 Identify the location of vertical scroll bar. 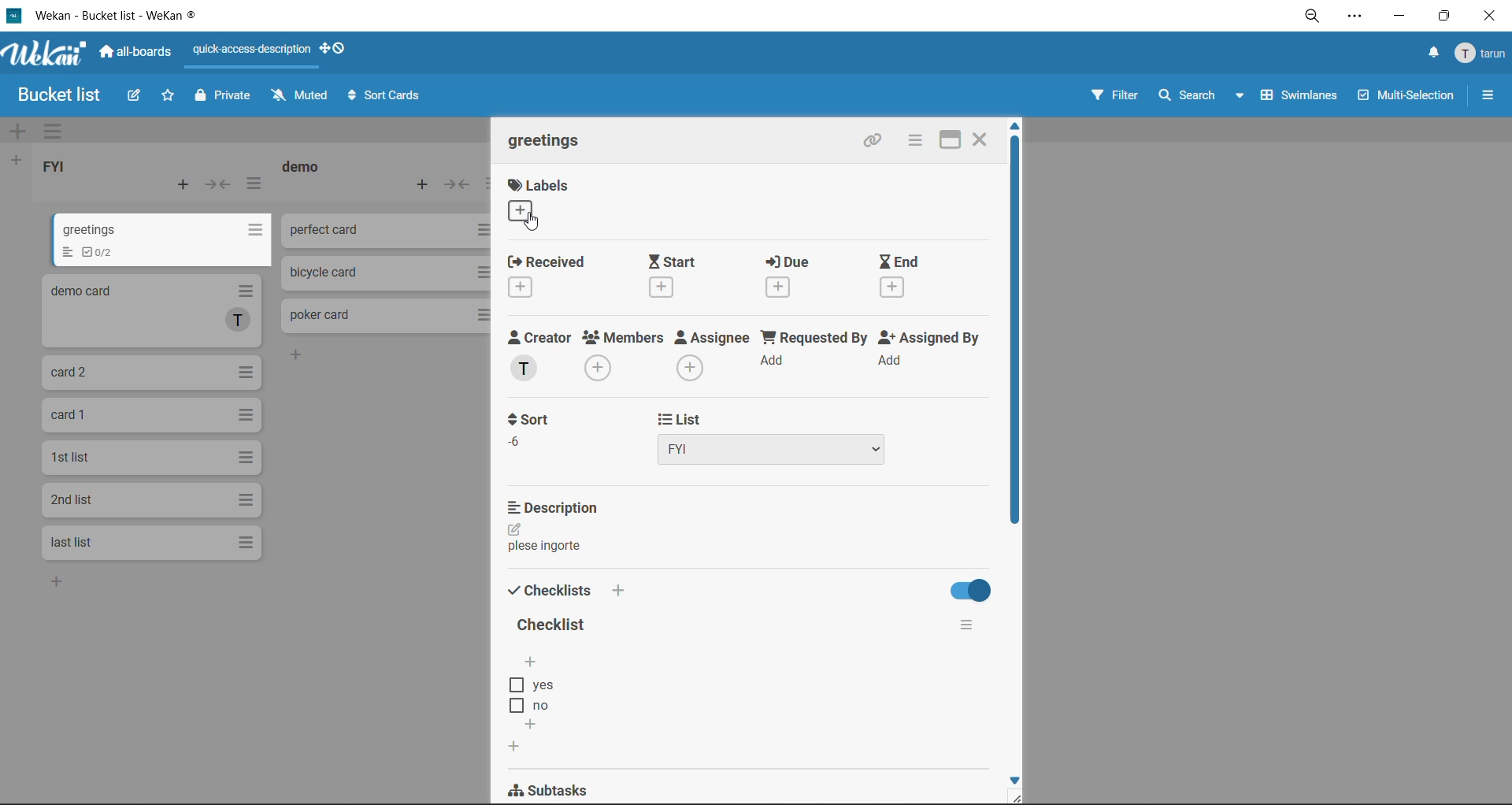
(1016, 337).